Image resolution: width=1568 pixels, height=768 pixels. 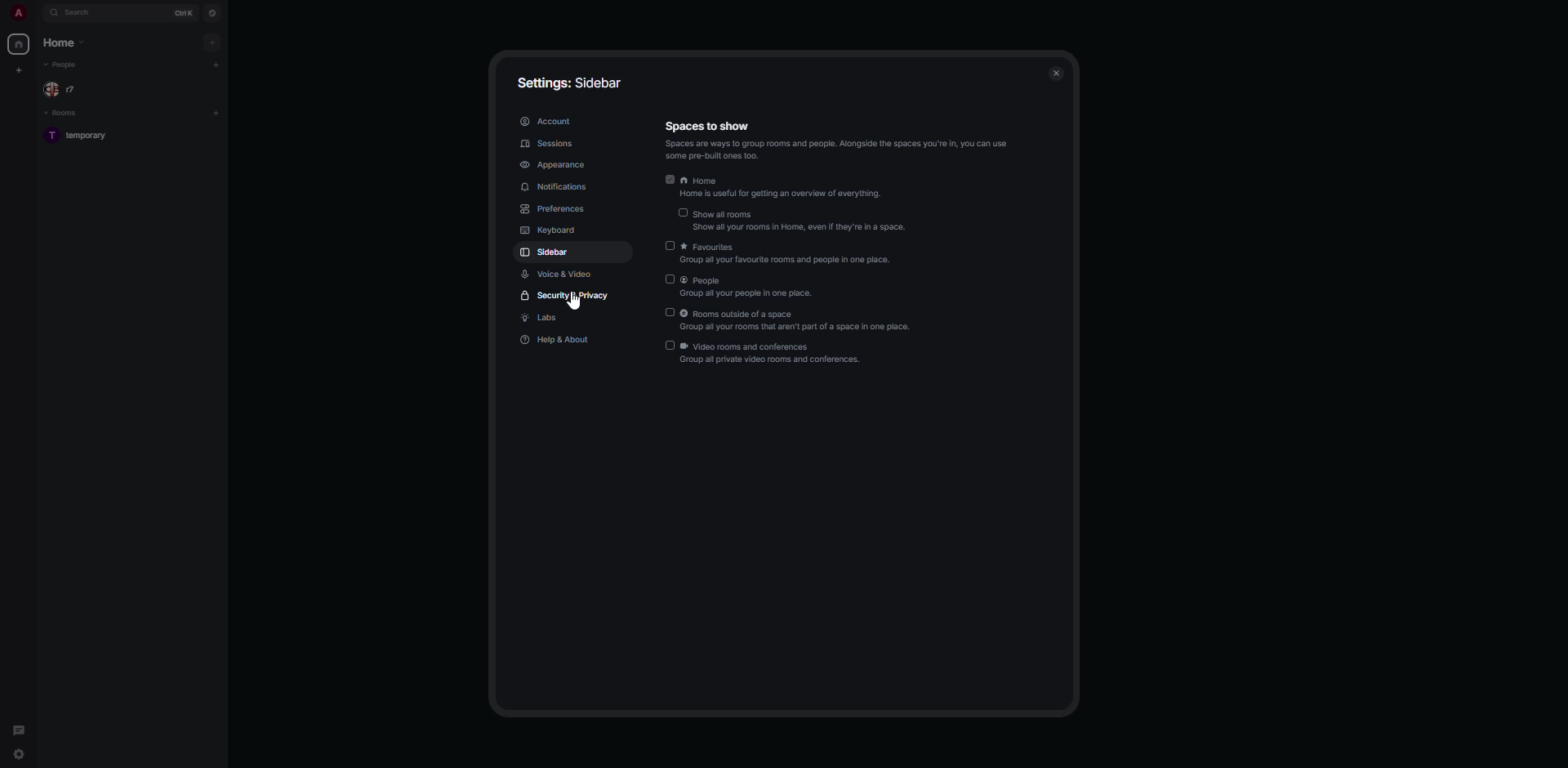 What do you see at coordinates (574, 307) in the screenshot?
I see `cursor` at bounding box center [574, 307].